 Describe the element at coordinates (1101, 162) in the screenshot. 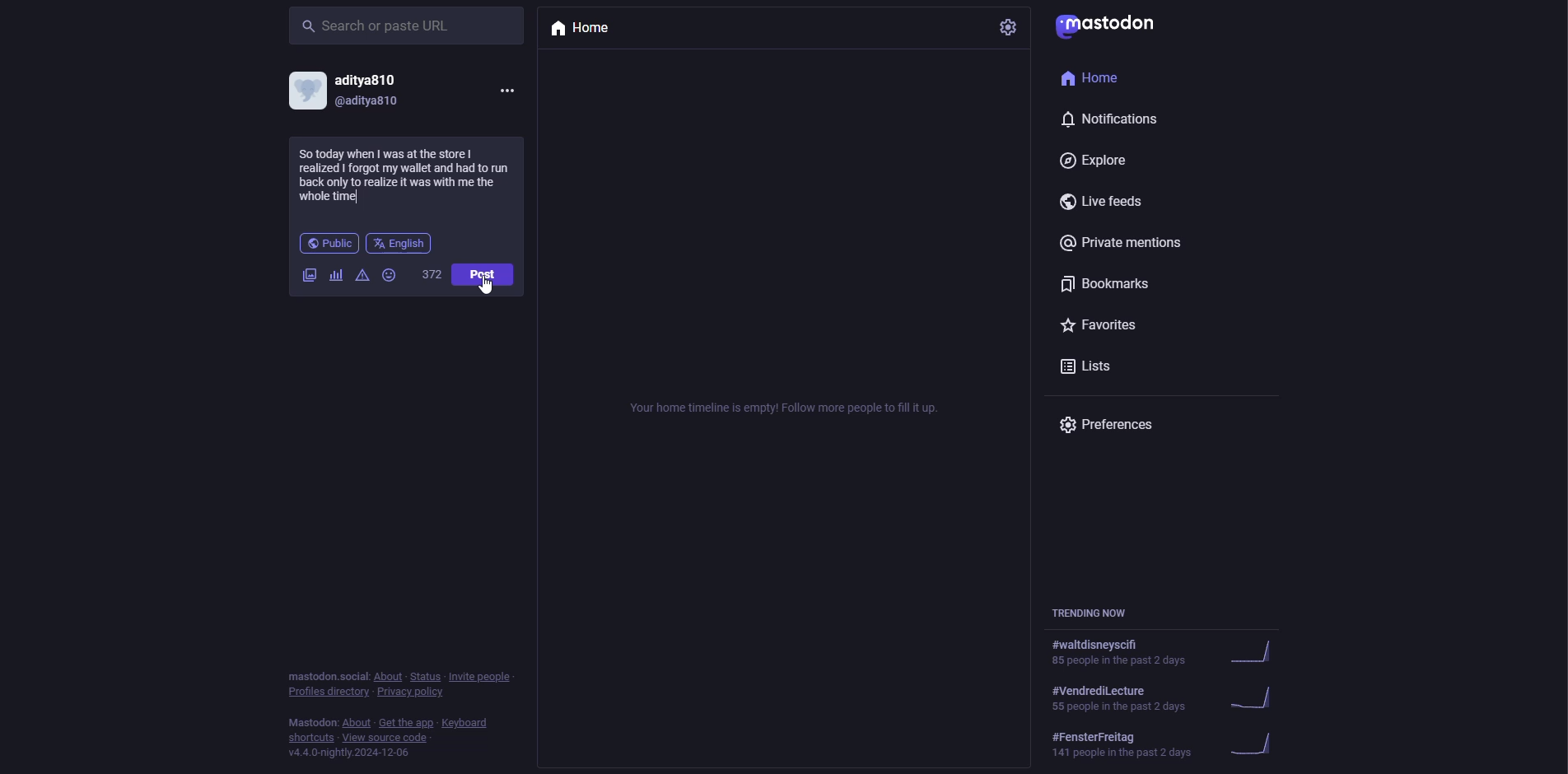

I see `explore` at that location.